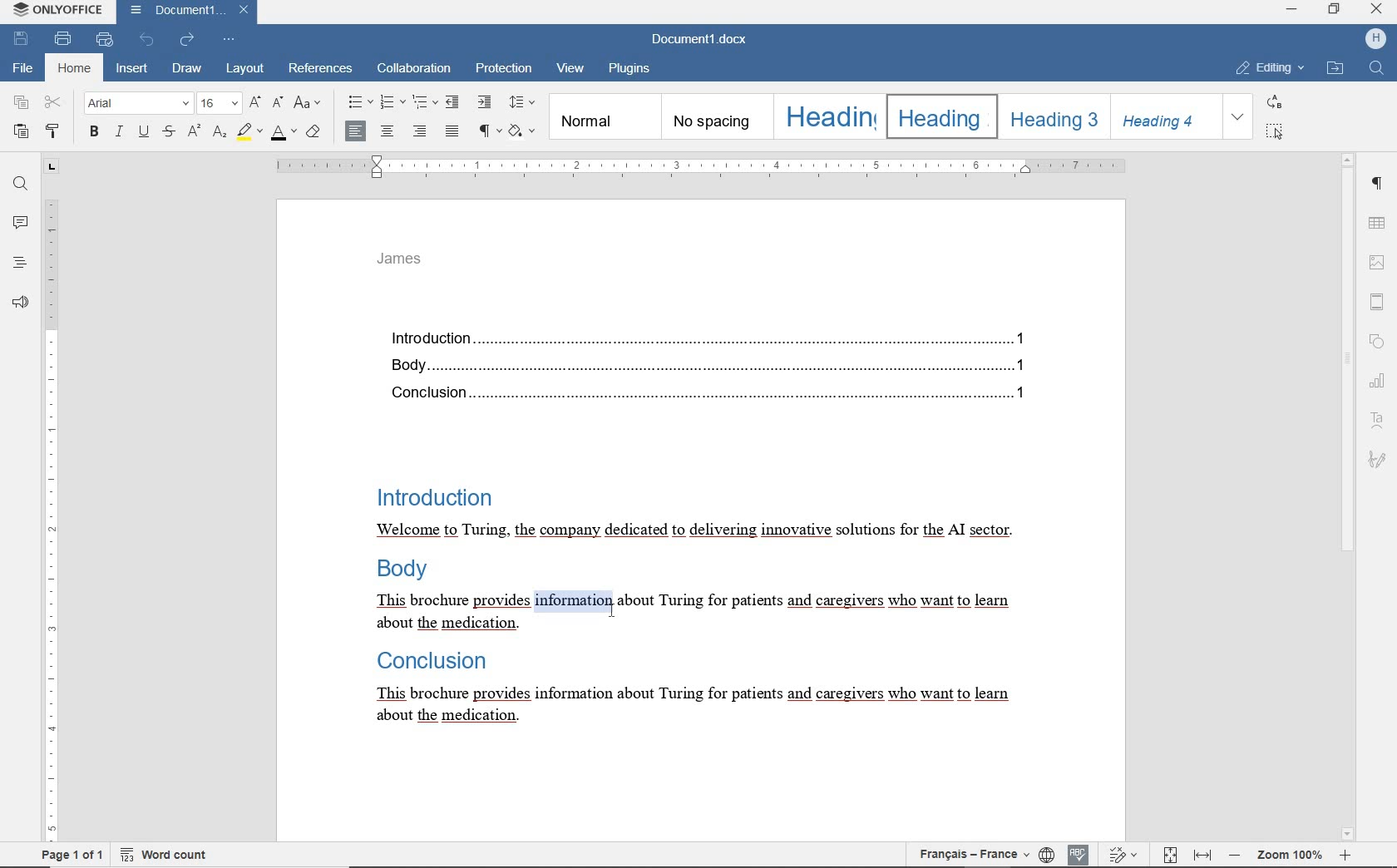 The image size is (1397, 868). Describe the element at coordinates (55, 10) in the screenshot. I see `SYSTEM NAME` at that location.